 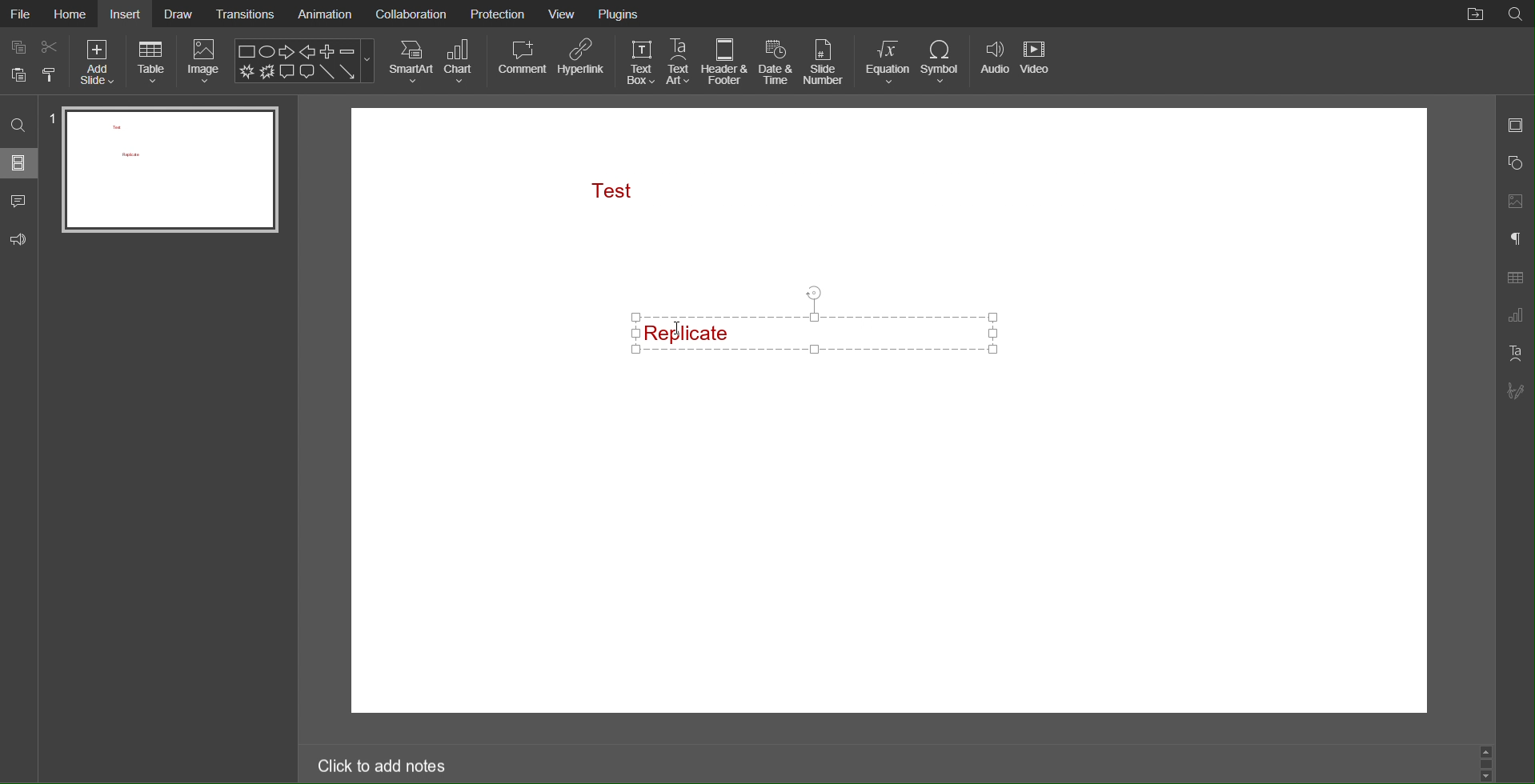 What do you see at coordinates (128, 14) in the screenshot?
I see `Insert` at bounding box center [128, 14].